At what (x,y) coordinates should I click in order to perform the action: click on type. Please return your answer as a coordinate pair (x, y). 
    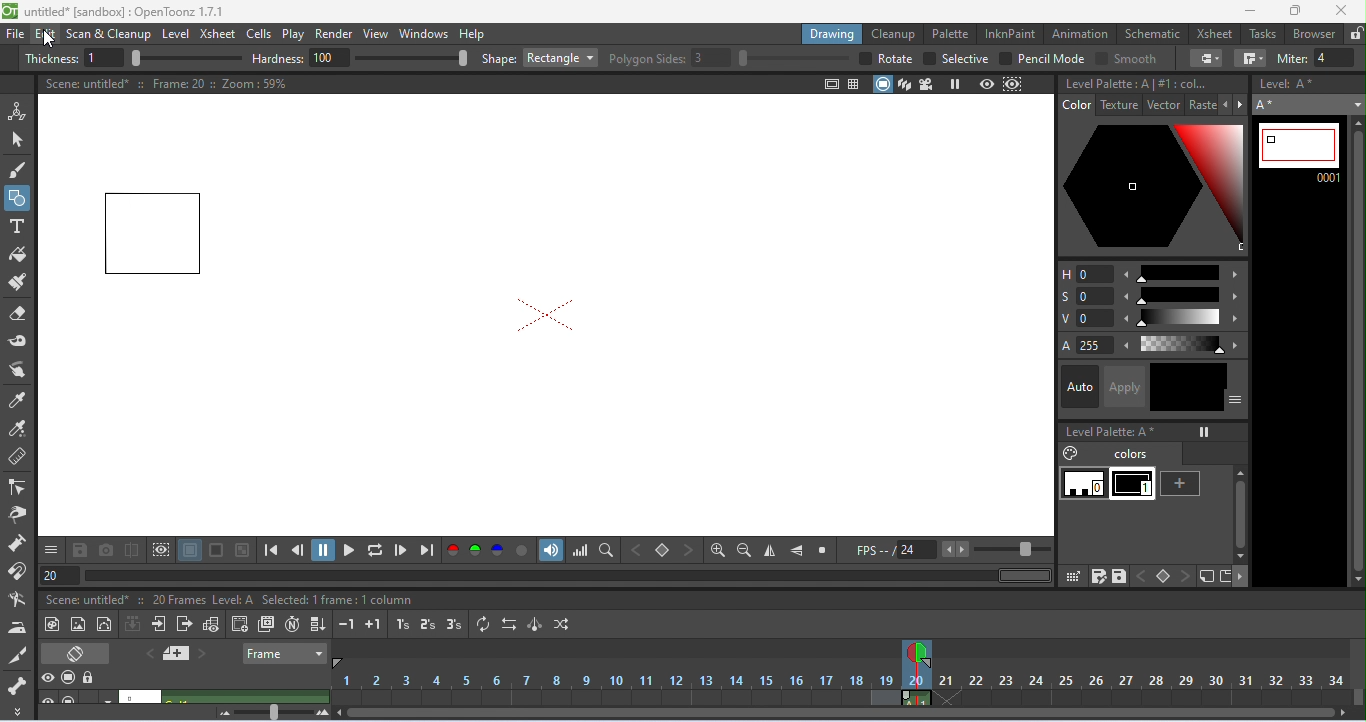
    Looking at the image, I should click on (17, 226).